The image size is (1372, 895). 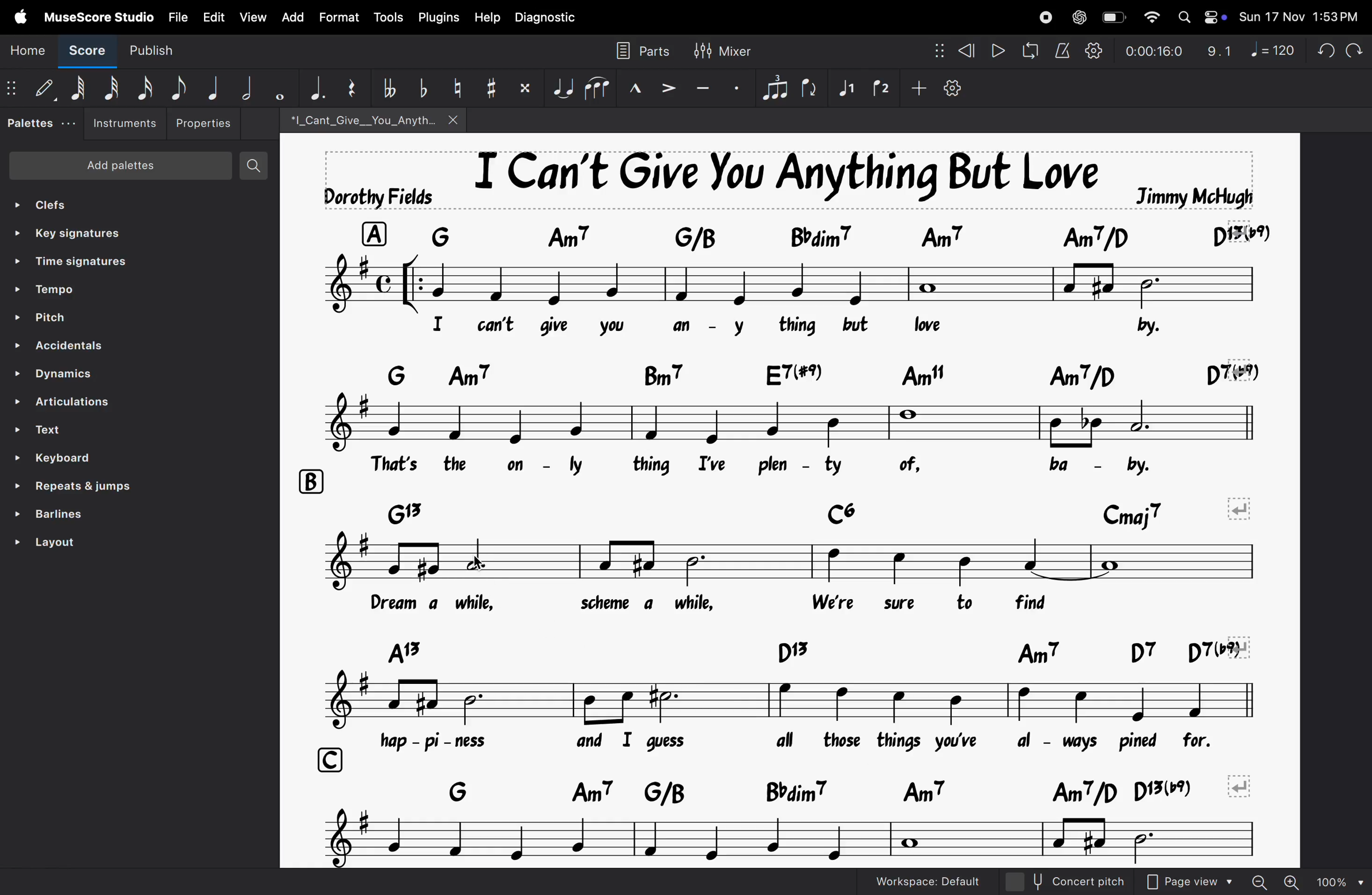 What do you see at coordinates (785, 464) in the screenshot?
I see `lyrics` at bounding box center [785, 464].